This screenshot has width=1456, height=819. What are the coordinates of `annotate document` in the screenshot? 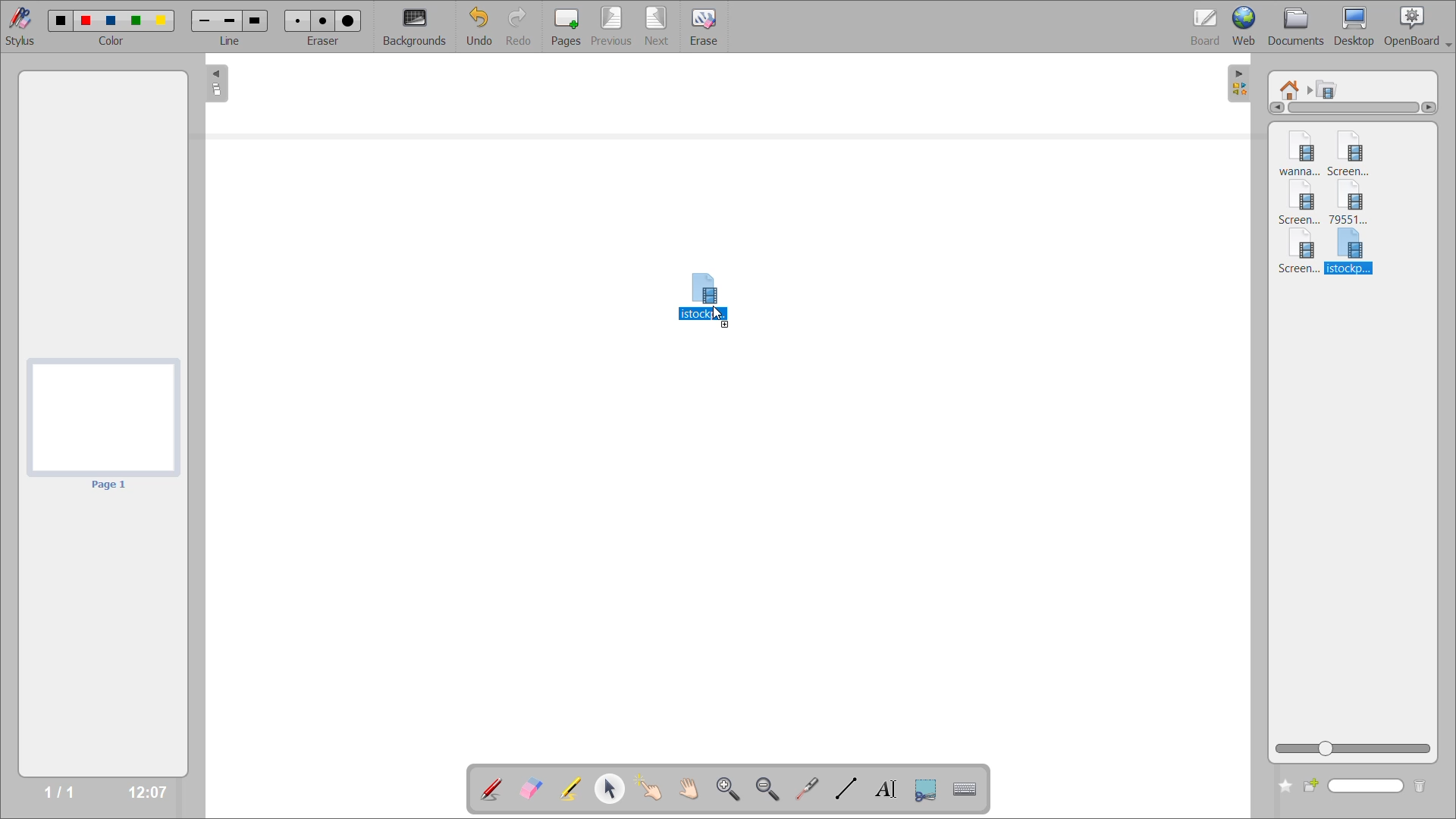 It's located at (491, 787).